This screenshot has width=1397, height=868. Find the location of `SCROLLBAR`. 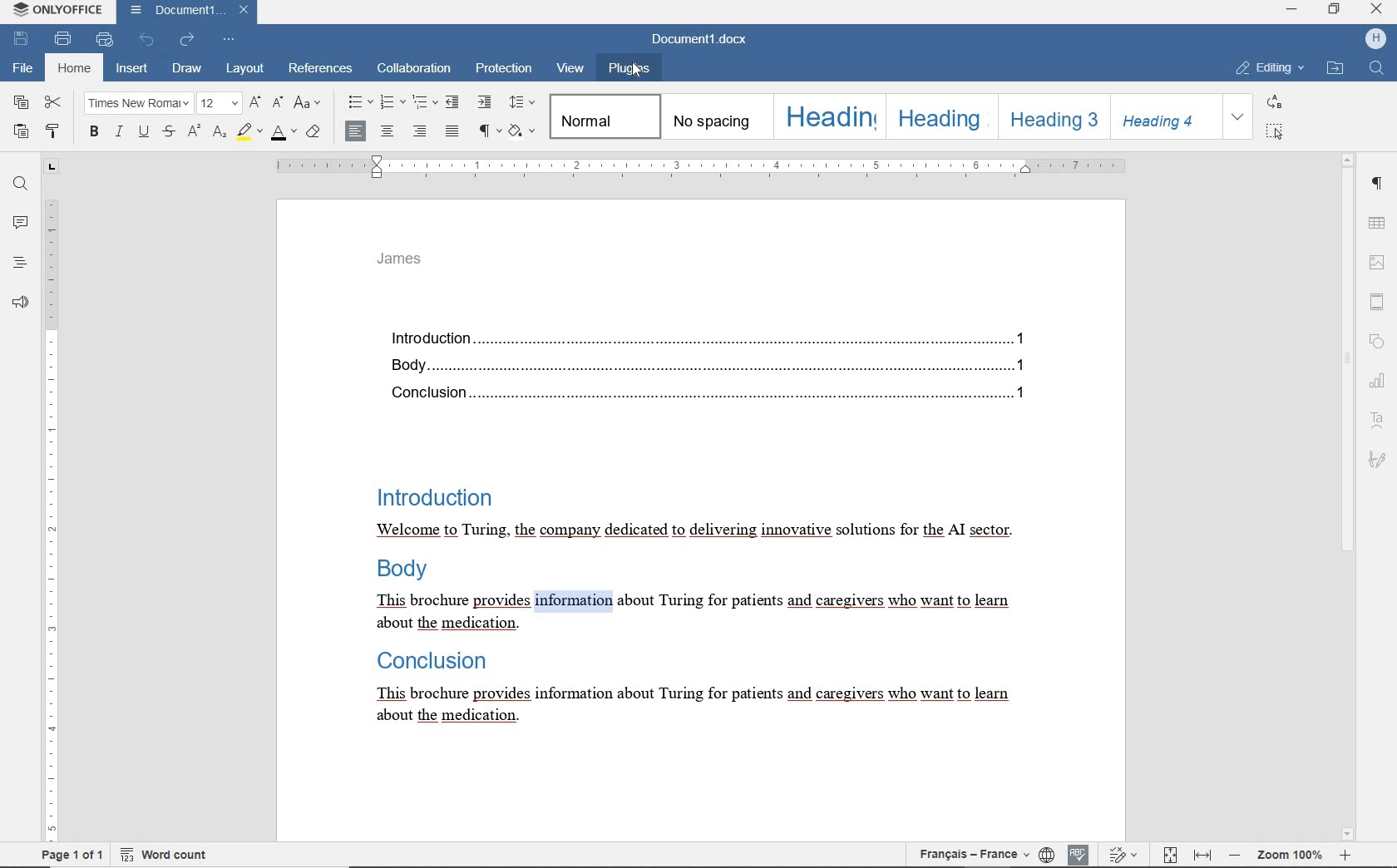

SCROLLBAR is located at coordinates (1348, 496).